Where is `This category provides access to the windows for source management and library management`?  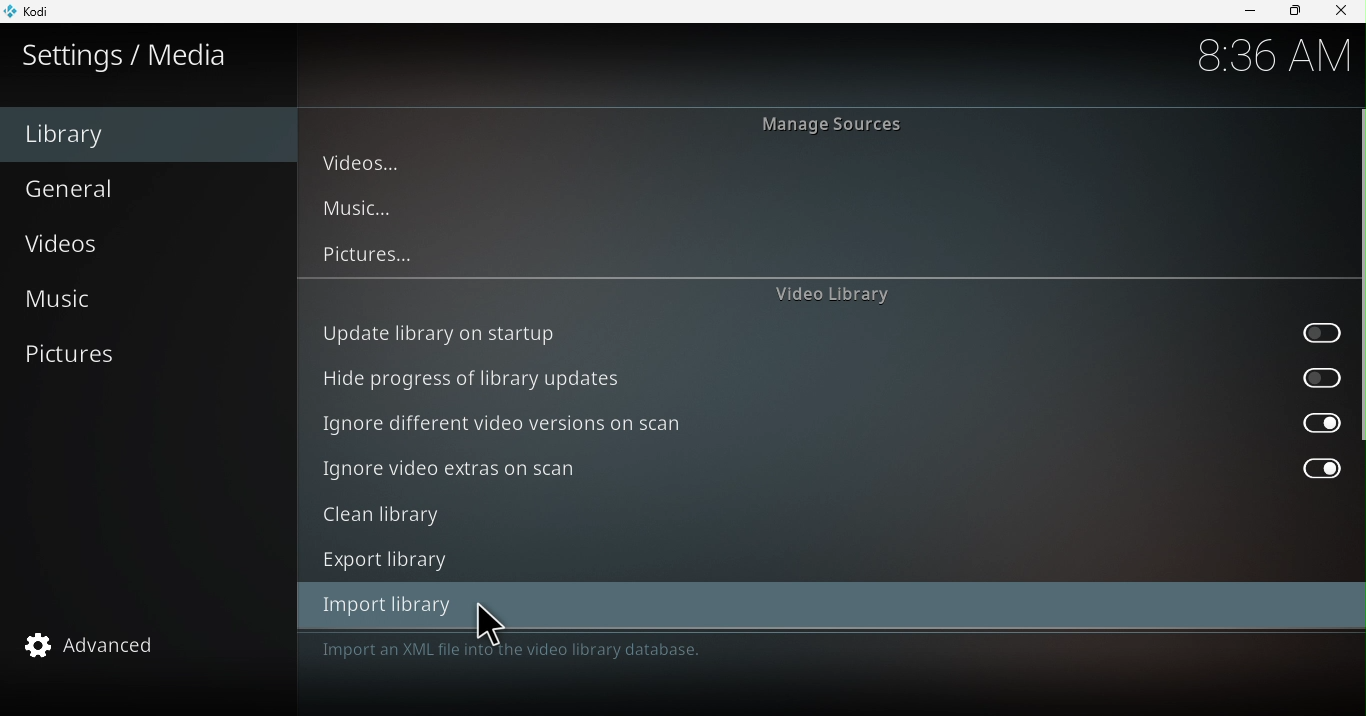
This category provides access to the windows for source management and library management is located at coordinates (740, 650).